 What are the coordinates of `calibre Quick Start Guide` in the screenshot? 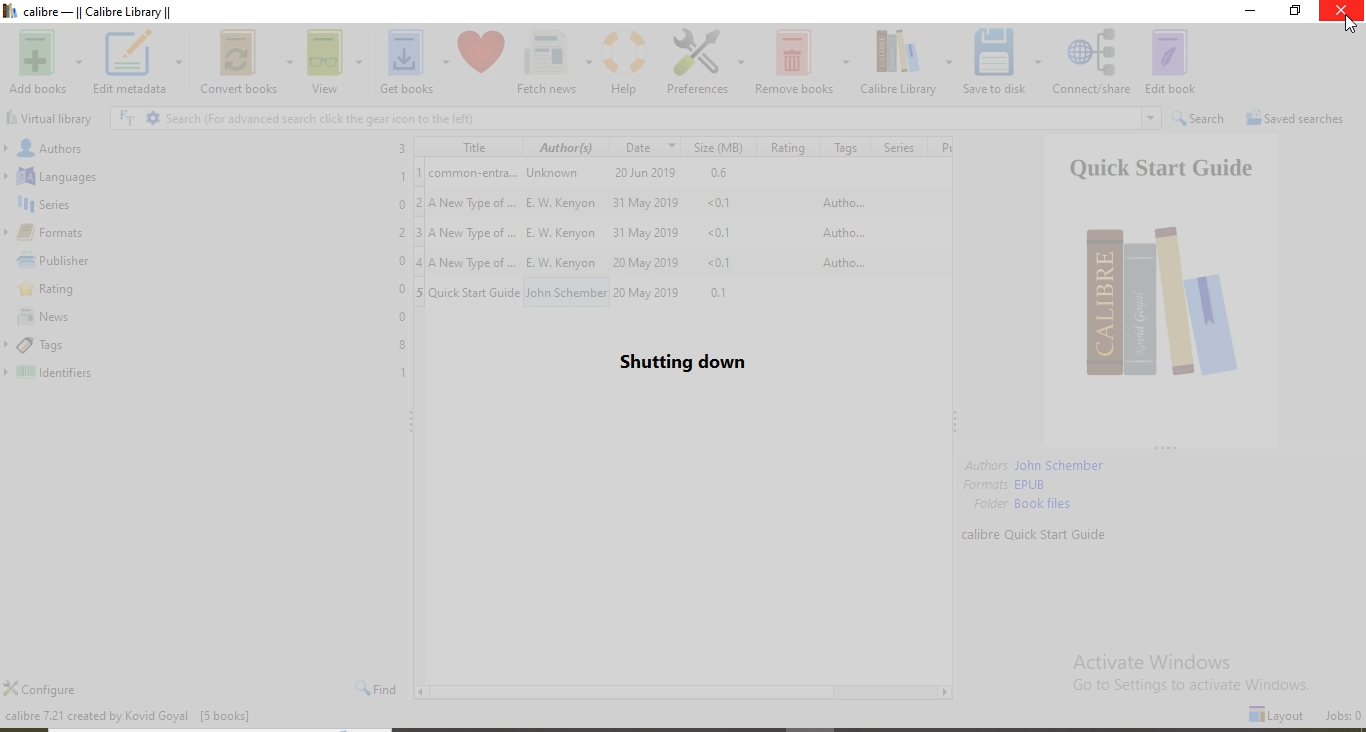 It's located at (1038, 534).